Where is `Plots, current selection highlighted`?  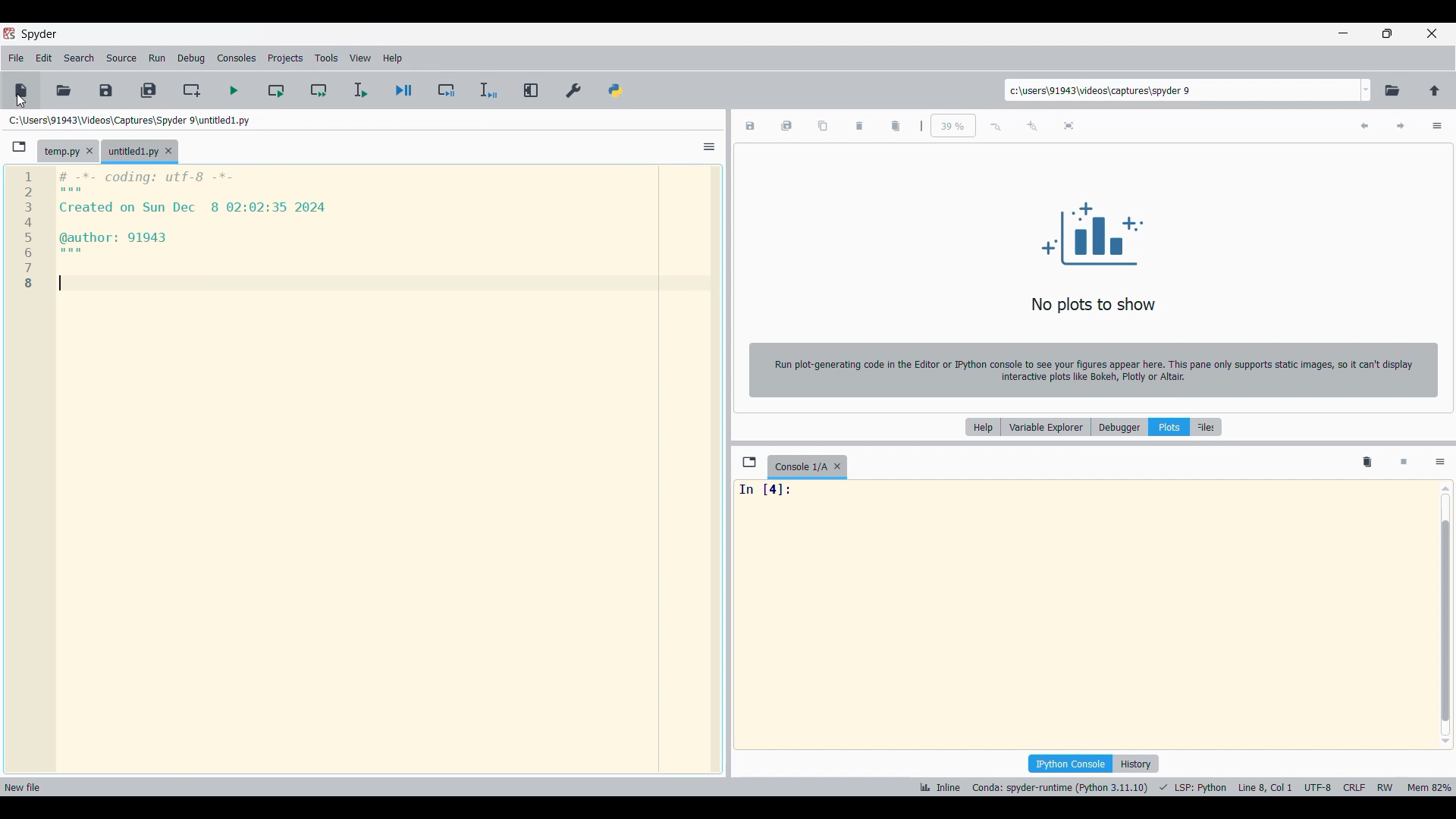 Plots, current selection highlighted is located at coordinates (1170, 427).